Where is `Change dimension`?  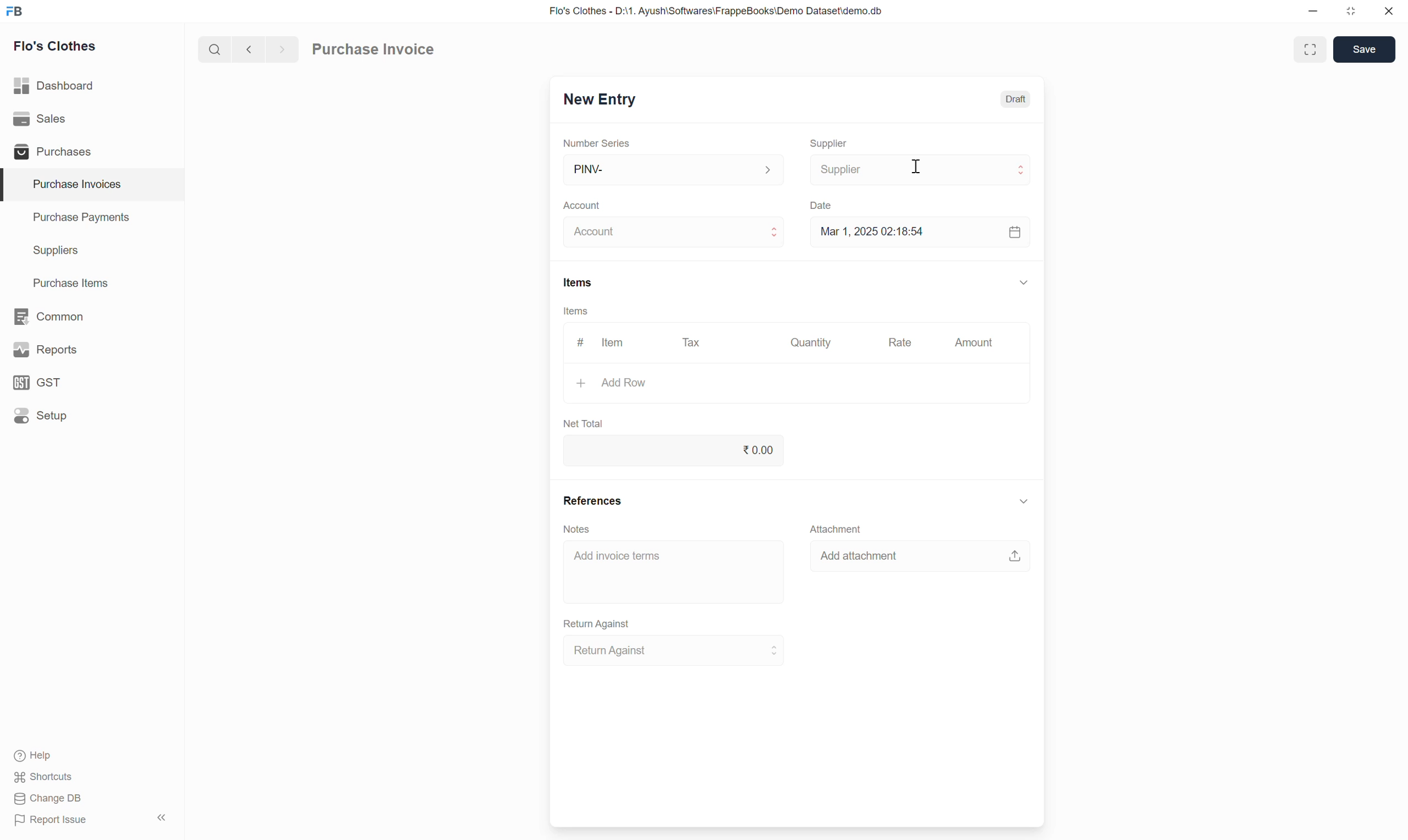 Change dimension is located at coordinates (1351, 11).